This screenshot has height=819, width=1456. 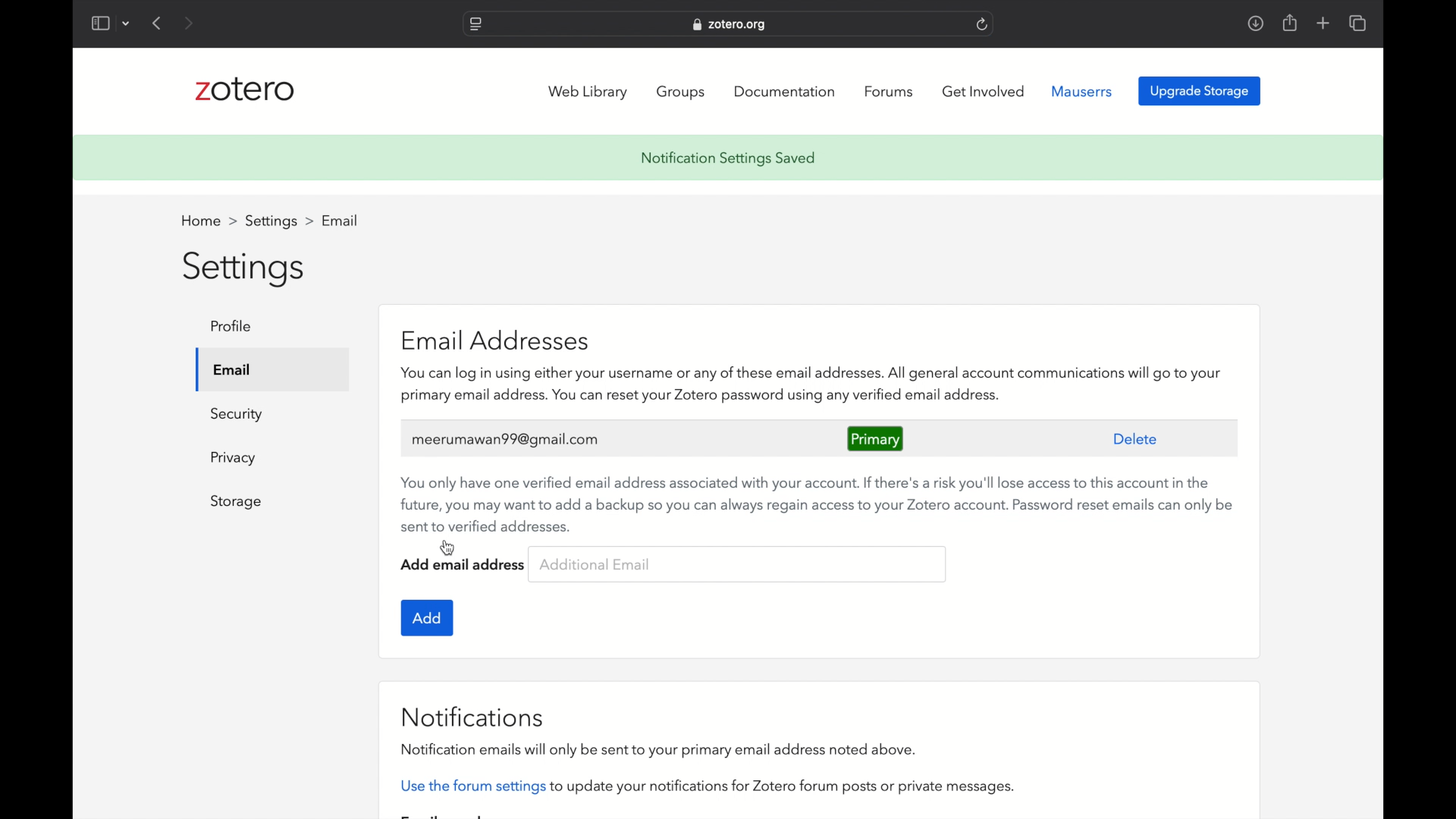 I want to click on email, so click(x=233, y=370).